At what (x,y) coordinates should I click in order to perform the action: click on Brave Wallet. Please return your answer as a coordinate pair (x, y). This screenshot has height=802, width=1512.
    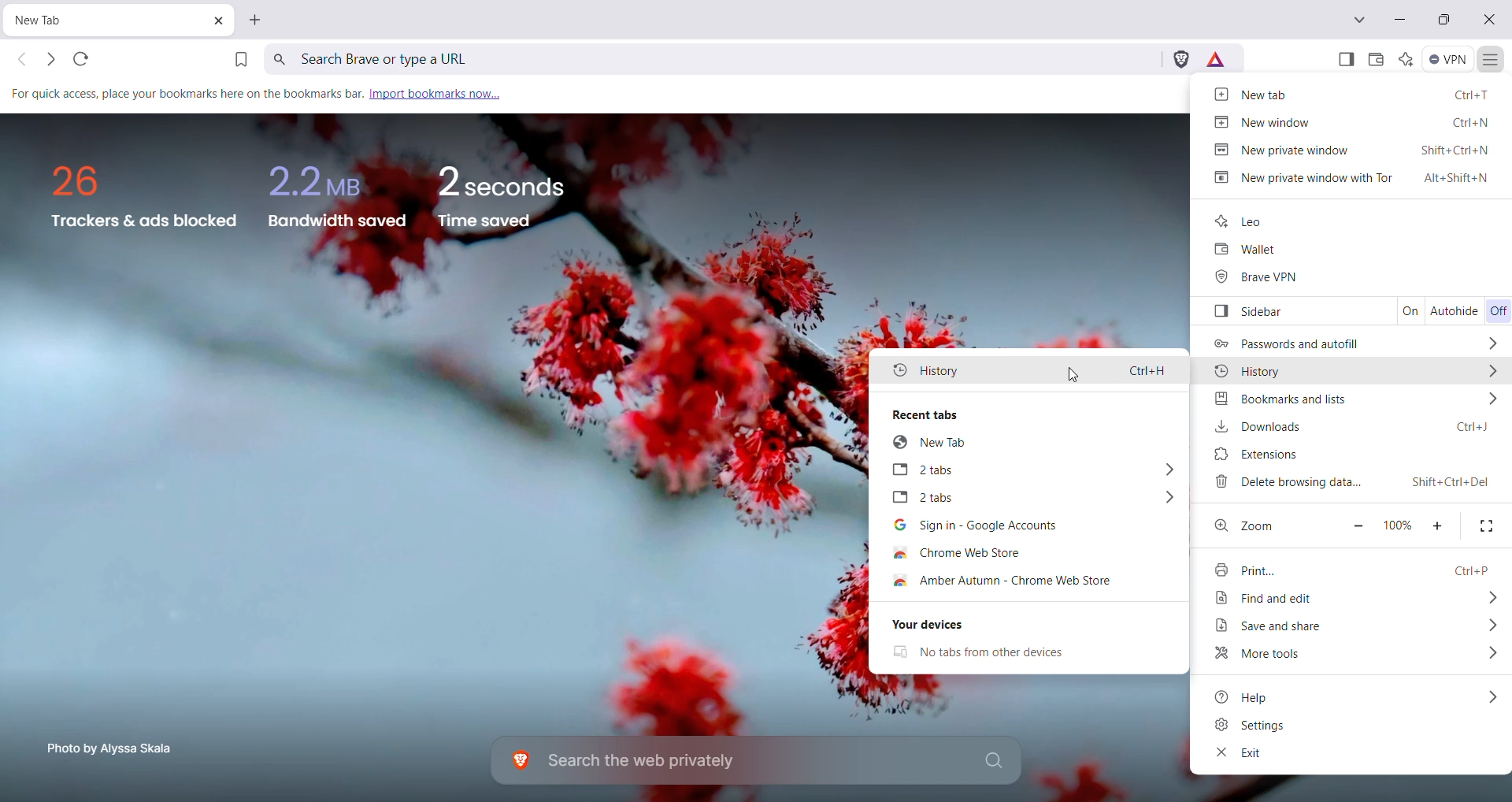
    Looking at the image, I should click on (1373, 59).